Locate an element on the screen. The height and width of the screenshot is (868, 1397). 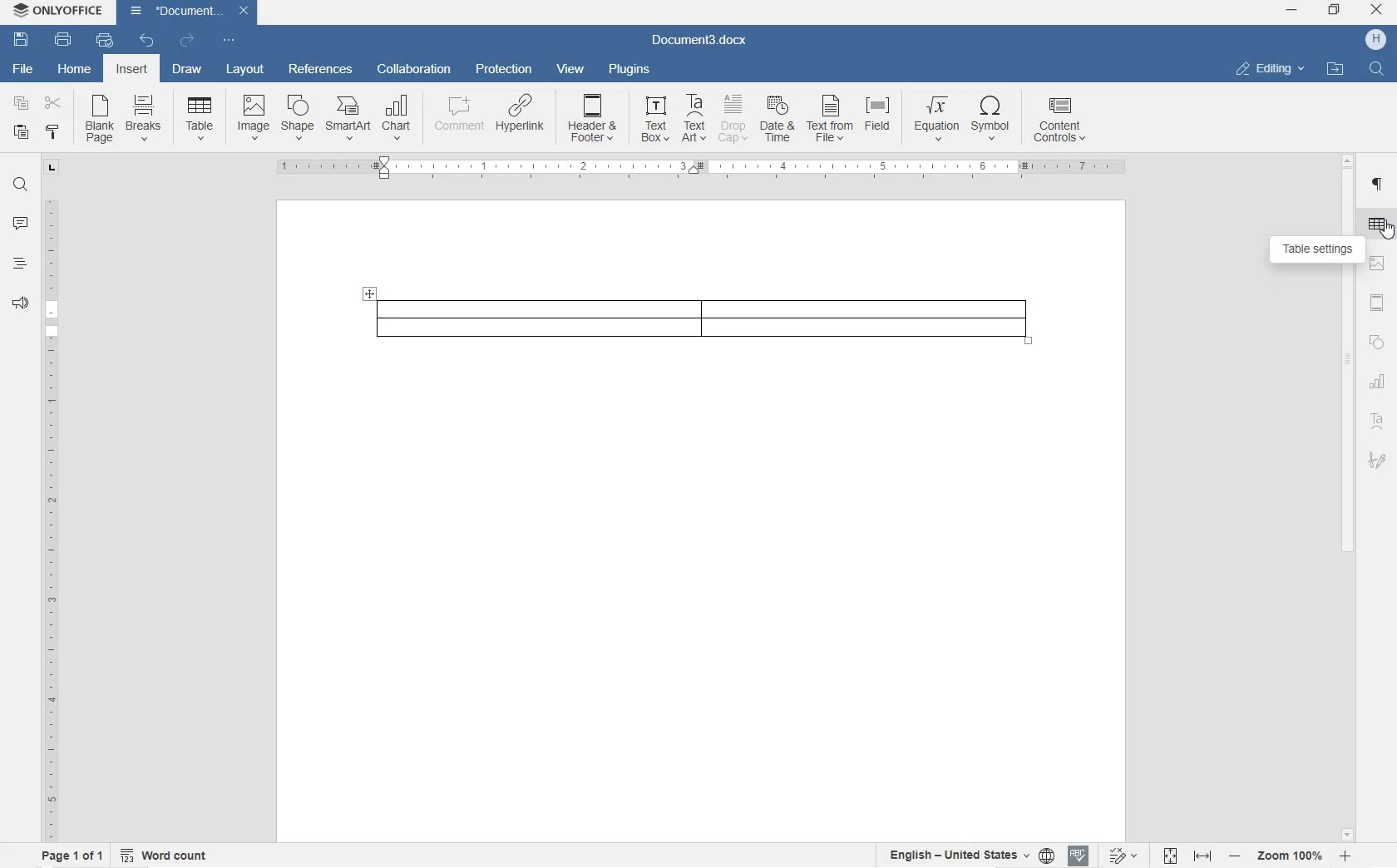
SIGNATURE is located at coordinates (1378, 459).